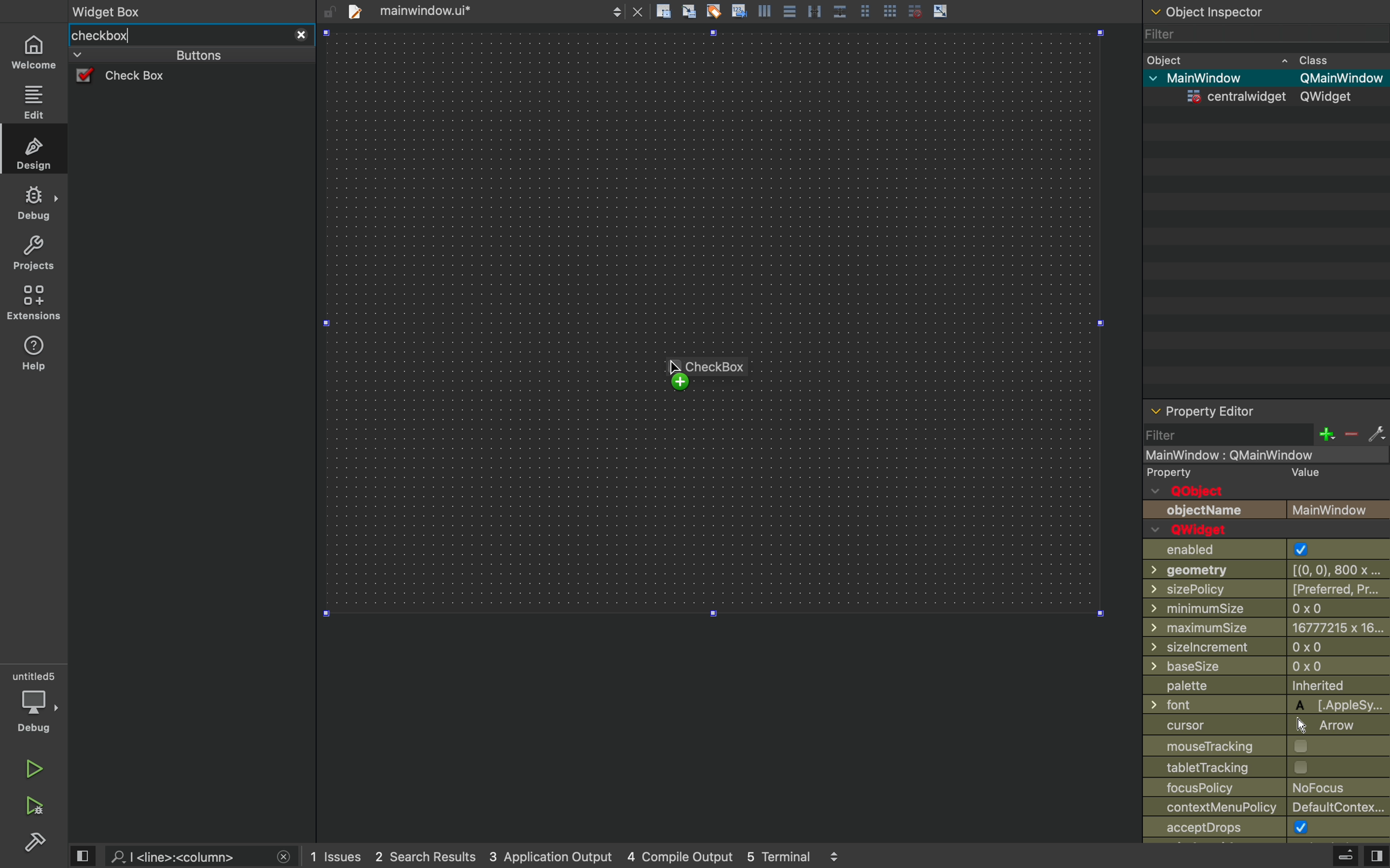 This screenshot has width=1390, height=868. What do you see at coordinates (177, 36) in the screenshot?
I see `widget box` at bounding box center [177, 36].